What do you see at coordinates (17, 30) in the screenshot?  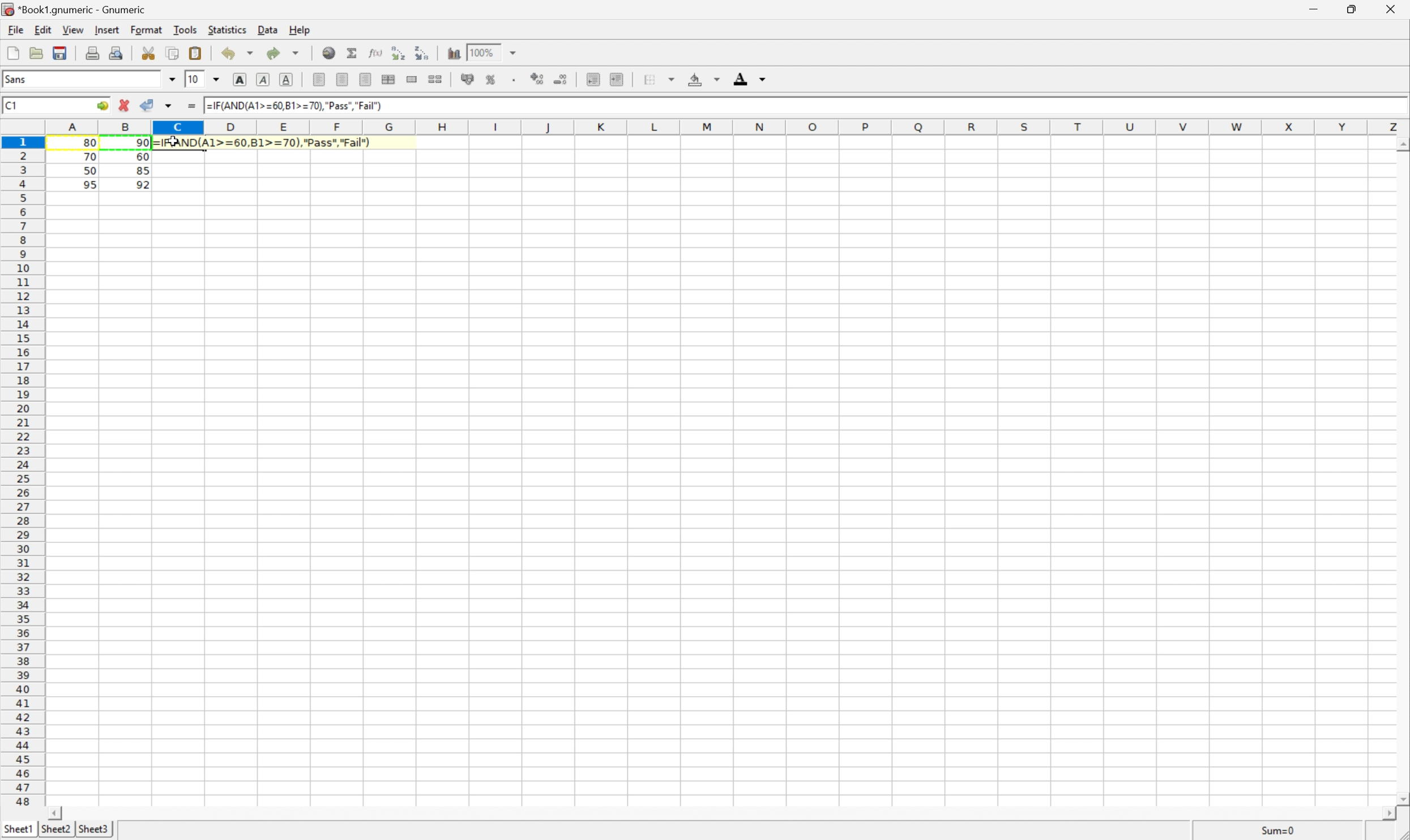 I see `File` at bounding box center [17, 30].